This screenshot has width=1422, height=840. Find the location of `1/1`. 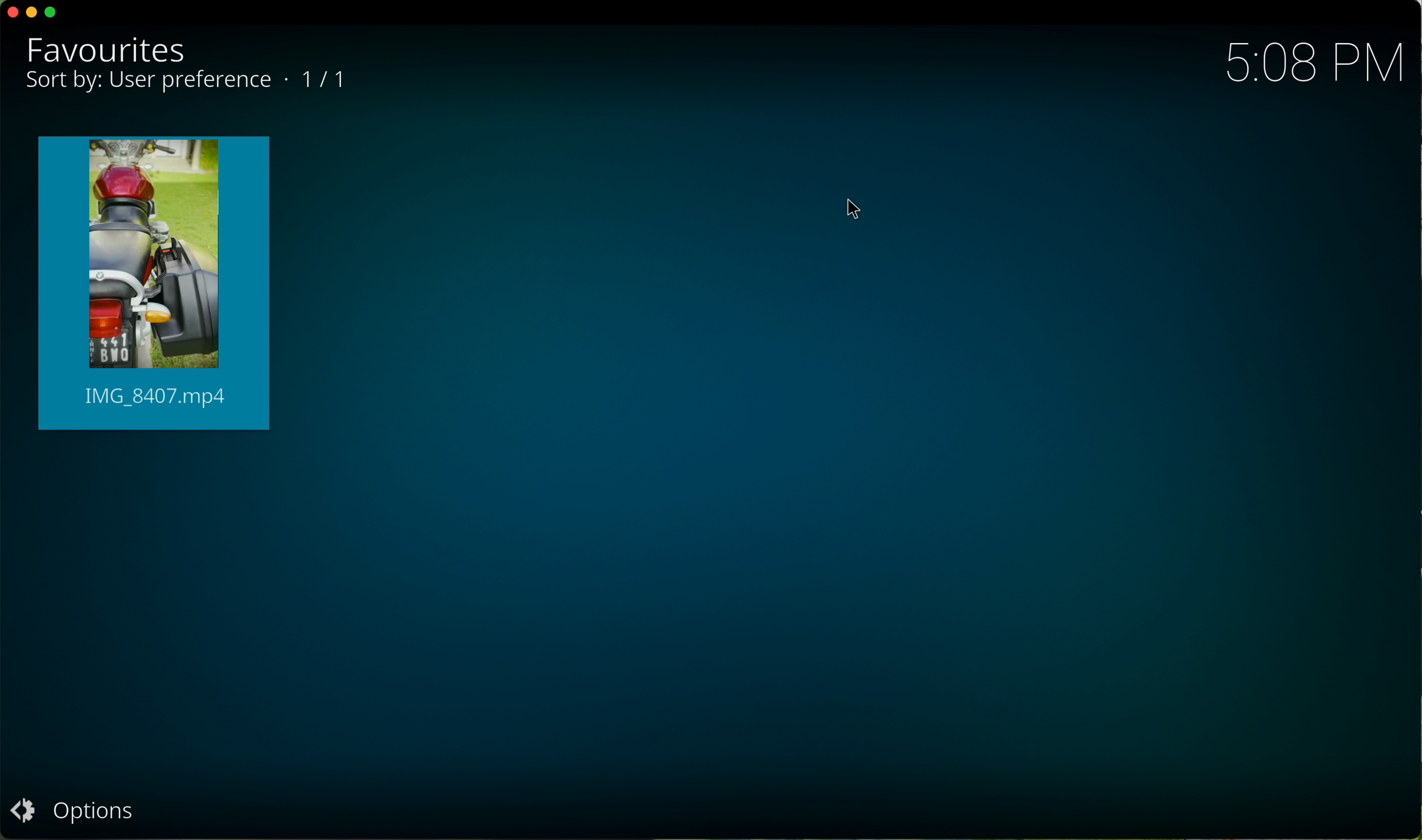

1/1 is located at coordinates (327, 83).